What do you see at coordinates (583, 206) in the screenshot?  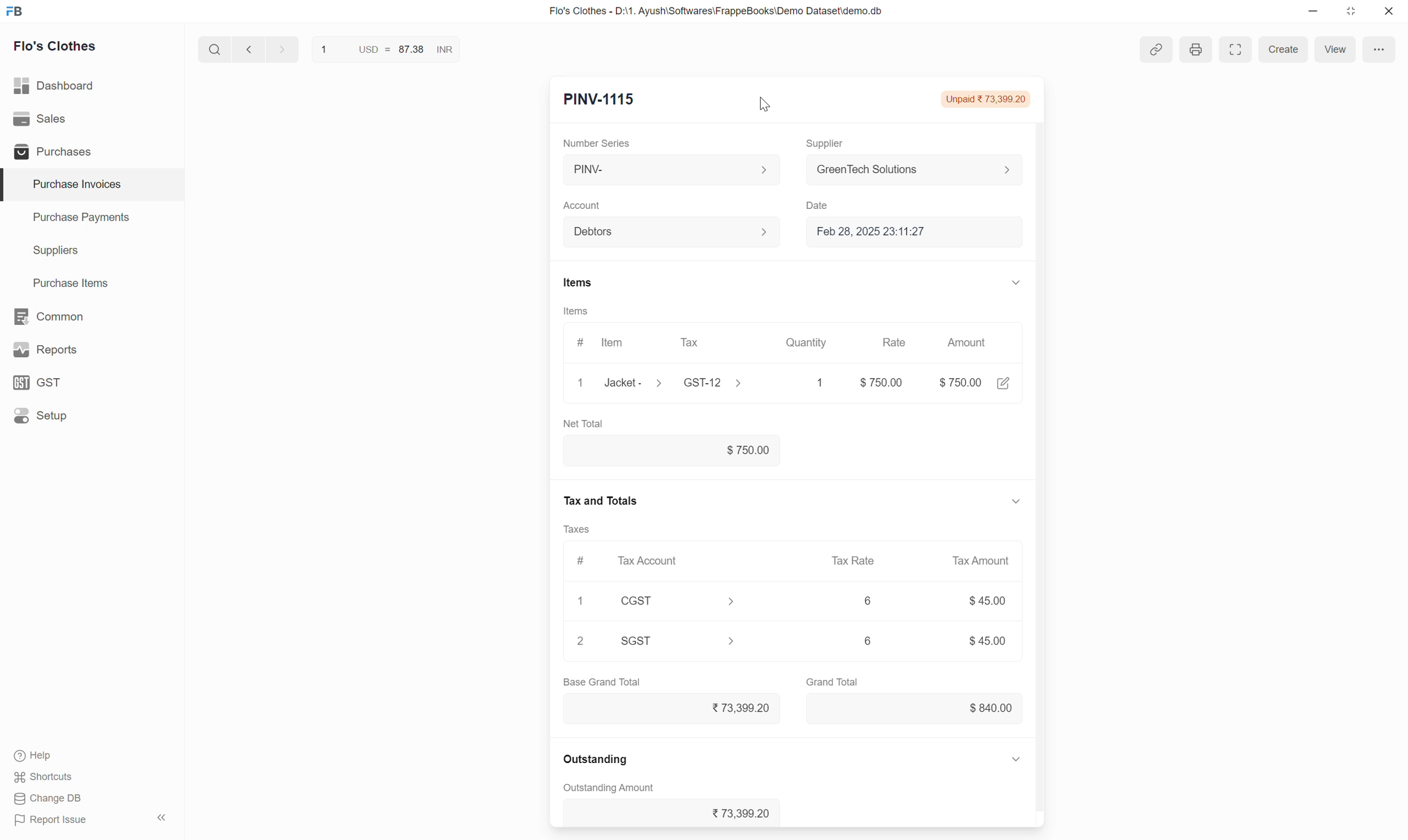 I see `Account` at bounding box center [583, 206].